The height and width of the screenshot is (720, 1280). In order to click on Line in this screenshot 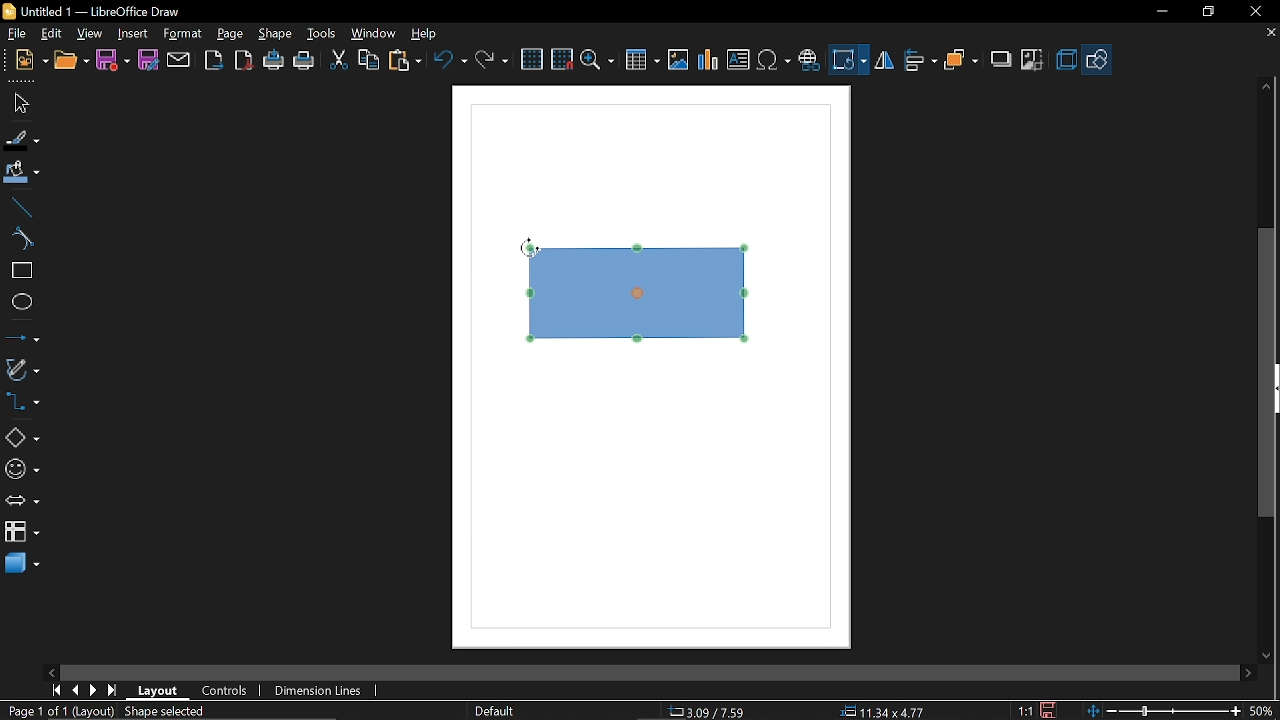, I will do `click(20, 207)`.